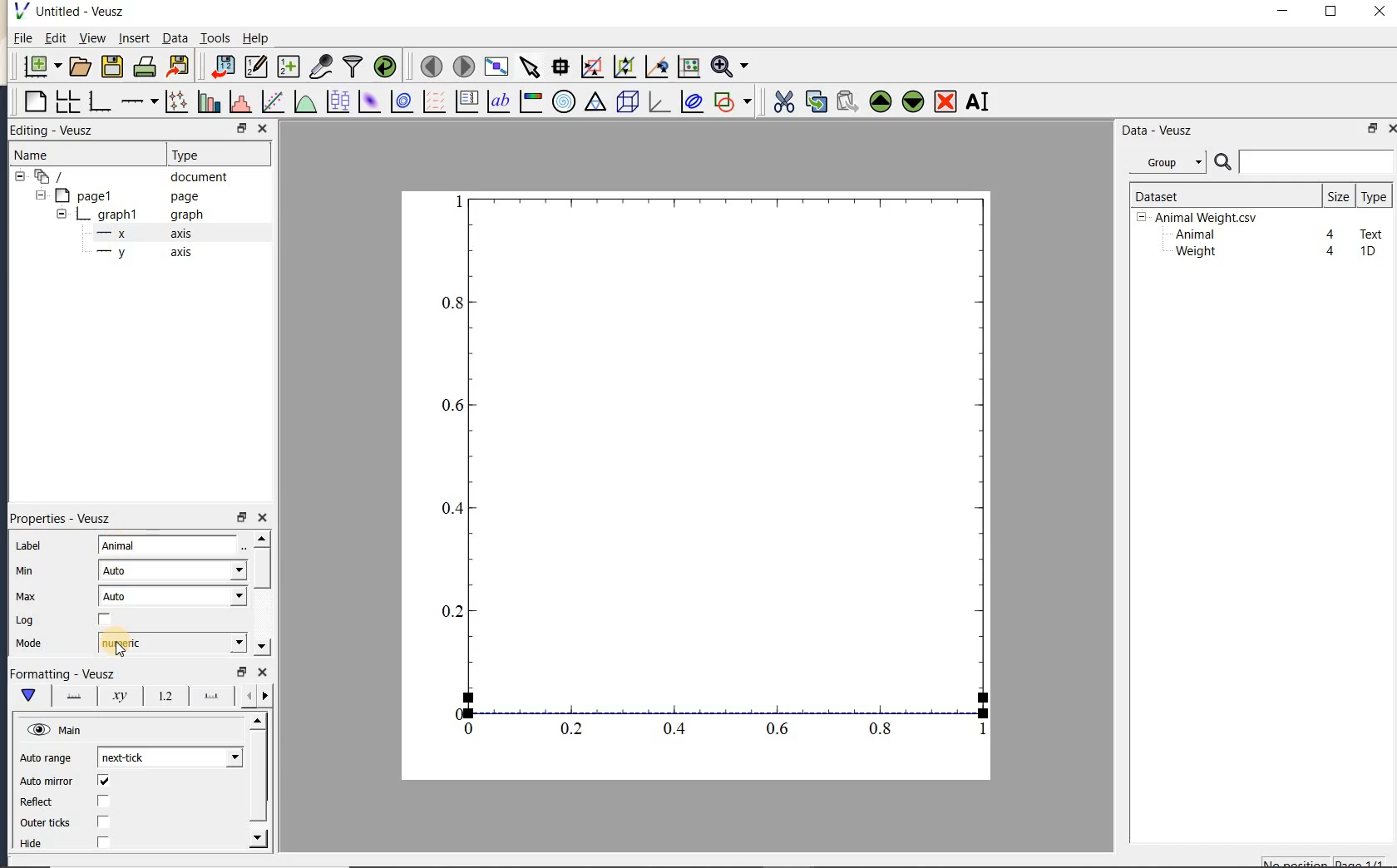 The image size is (1397, 868). What do you see at coordinates (98, 101) in the screenshot?
I see `base graph` at bounding box center [98, 101].